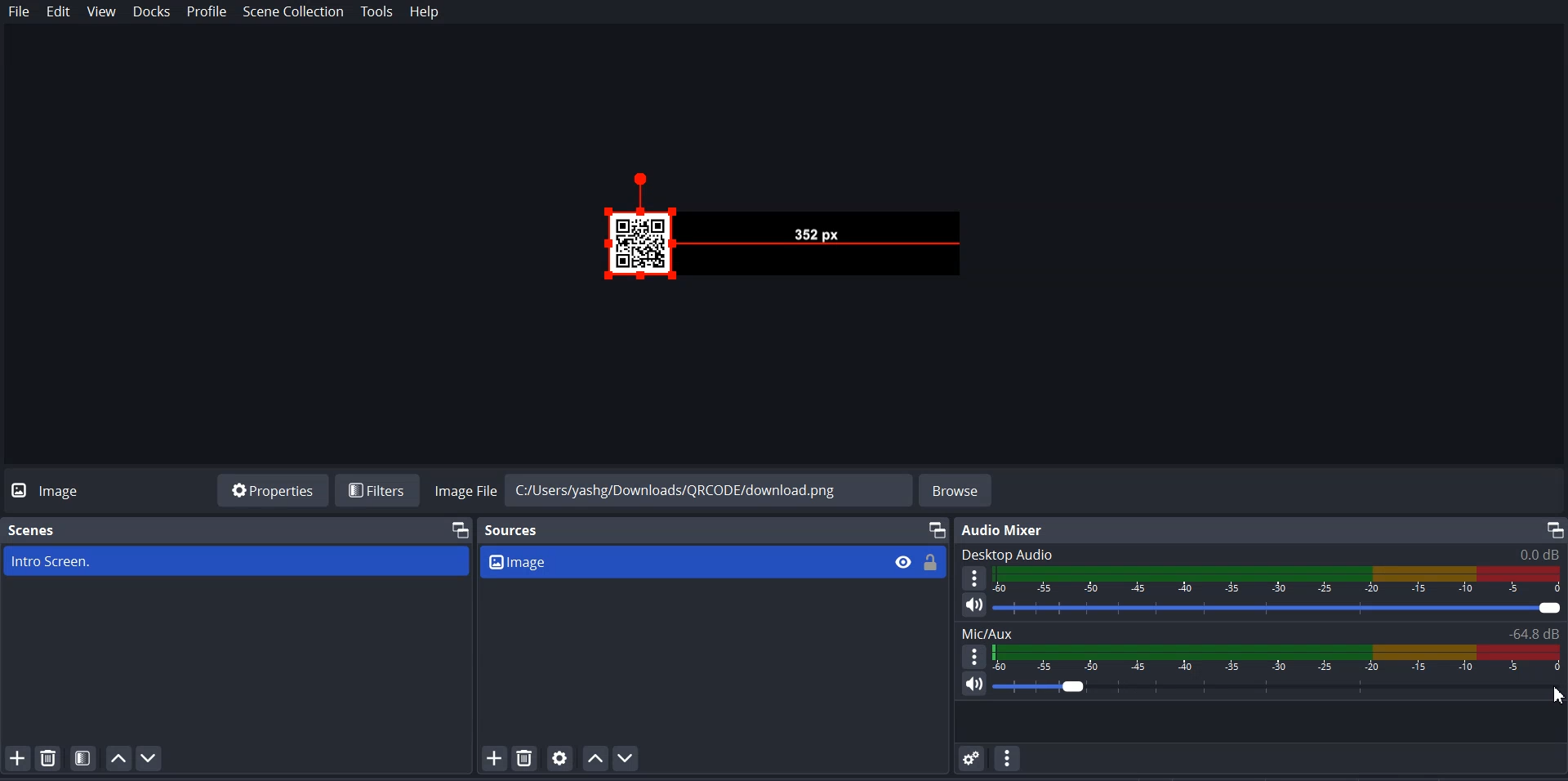 The width and height of the screenshot is (1568, 781). I want to click on File Preview, so click(817, 234).